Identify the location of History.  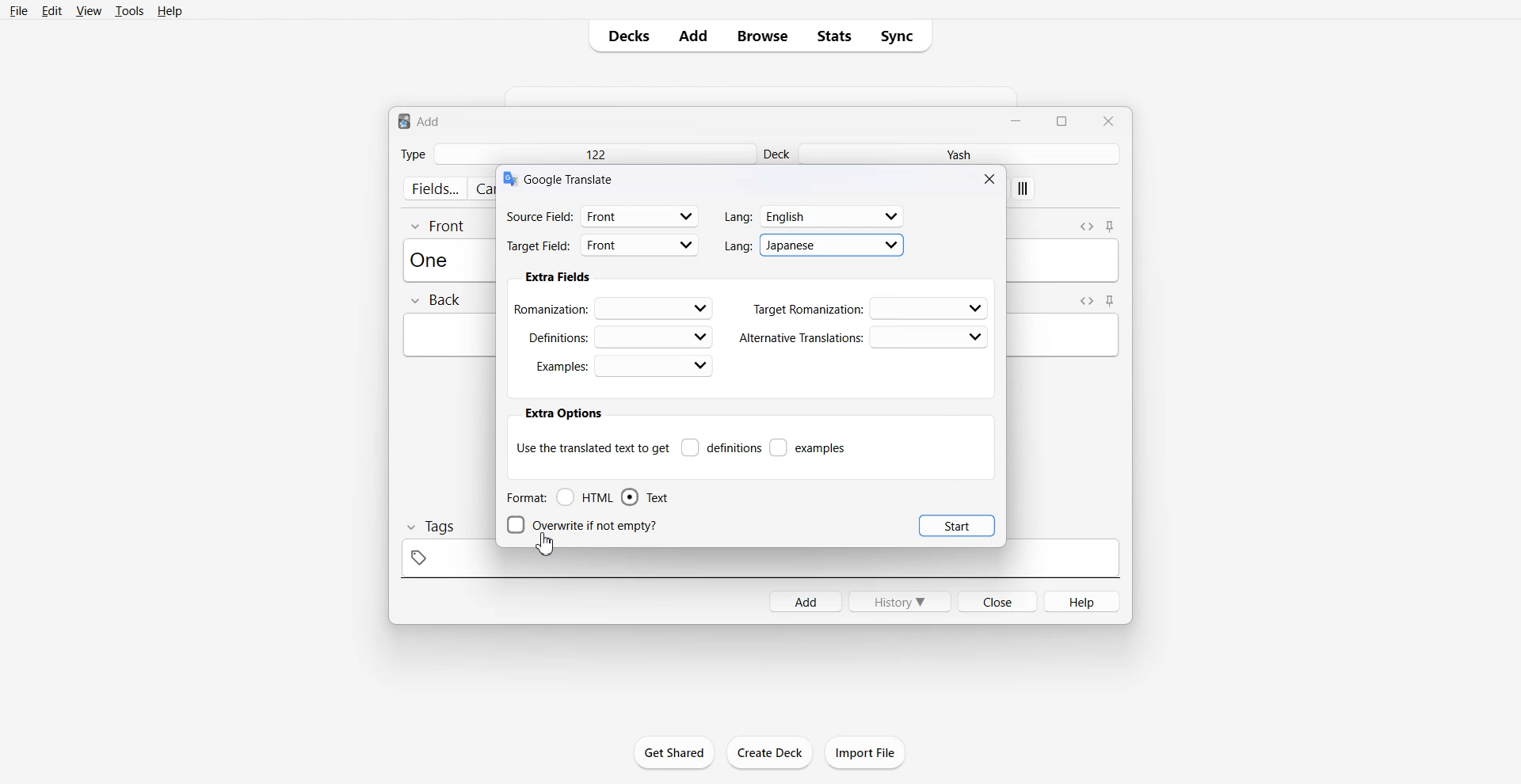
(900, 601).